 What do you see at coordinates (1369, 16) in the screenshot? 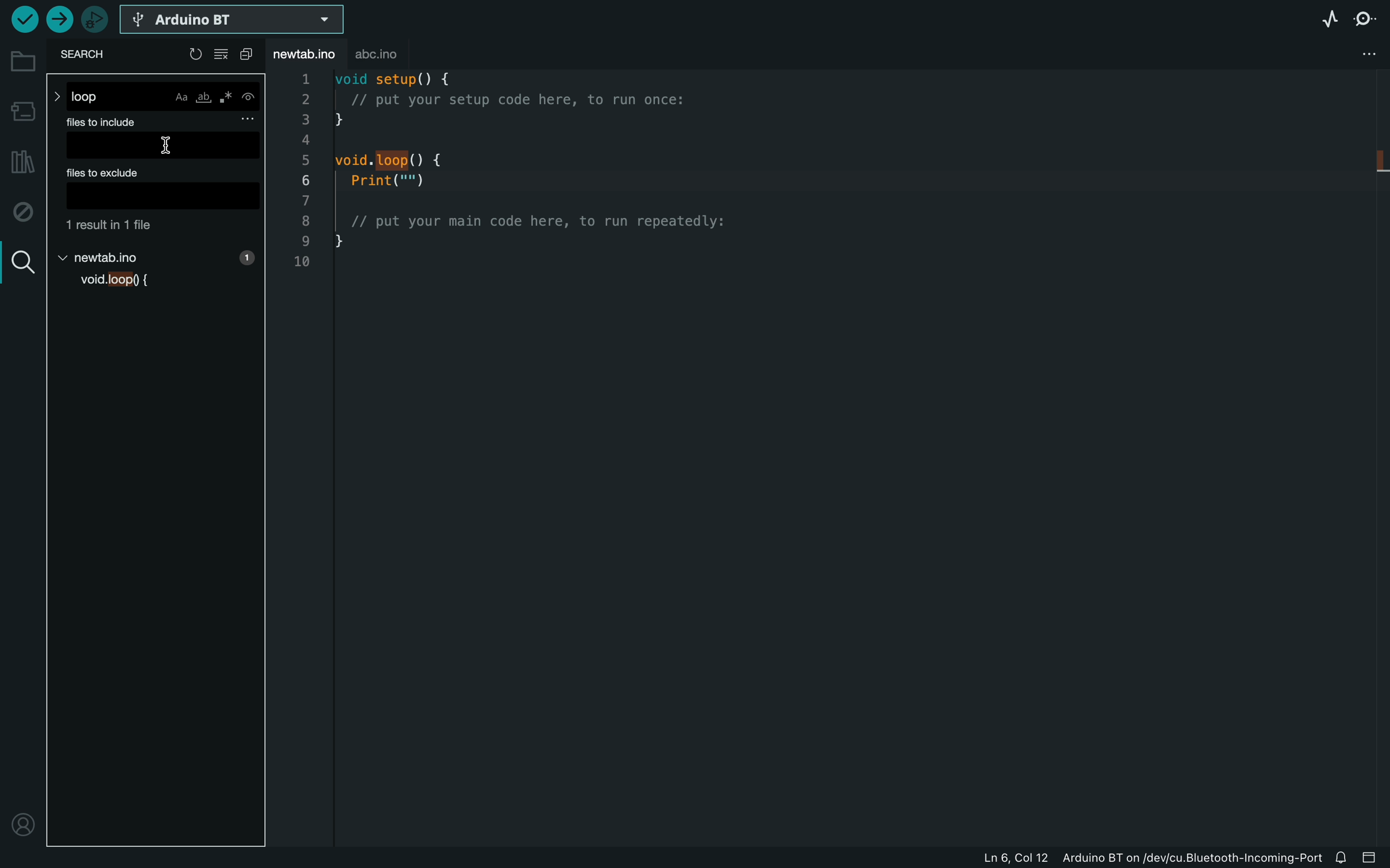
I see `serial monitor` at bounding box center [1369, 16].